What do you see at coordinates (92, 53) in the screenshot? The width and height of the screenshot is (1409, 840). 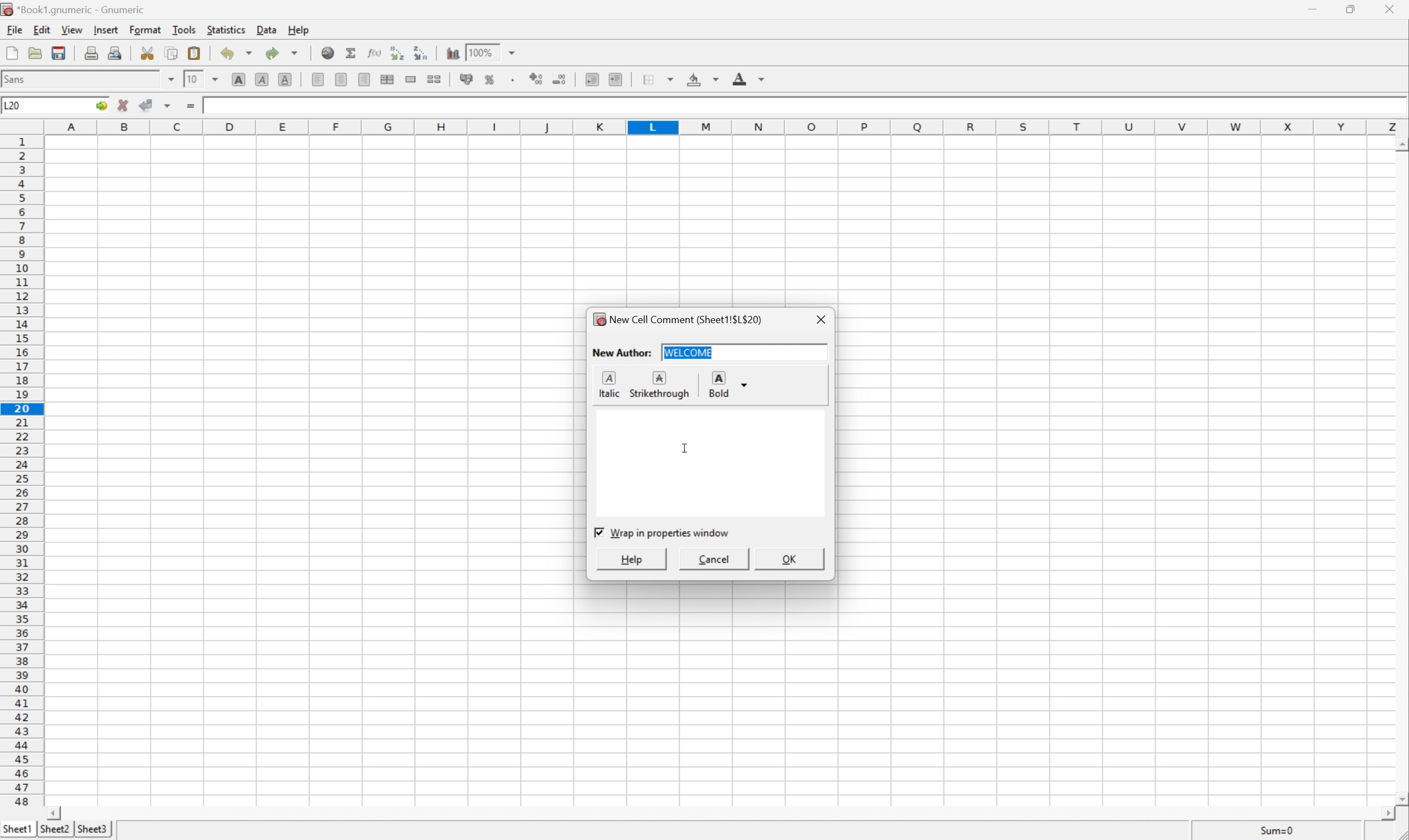 I see `Print current file` at bounding box center [92, 53].